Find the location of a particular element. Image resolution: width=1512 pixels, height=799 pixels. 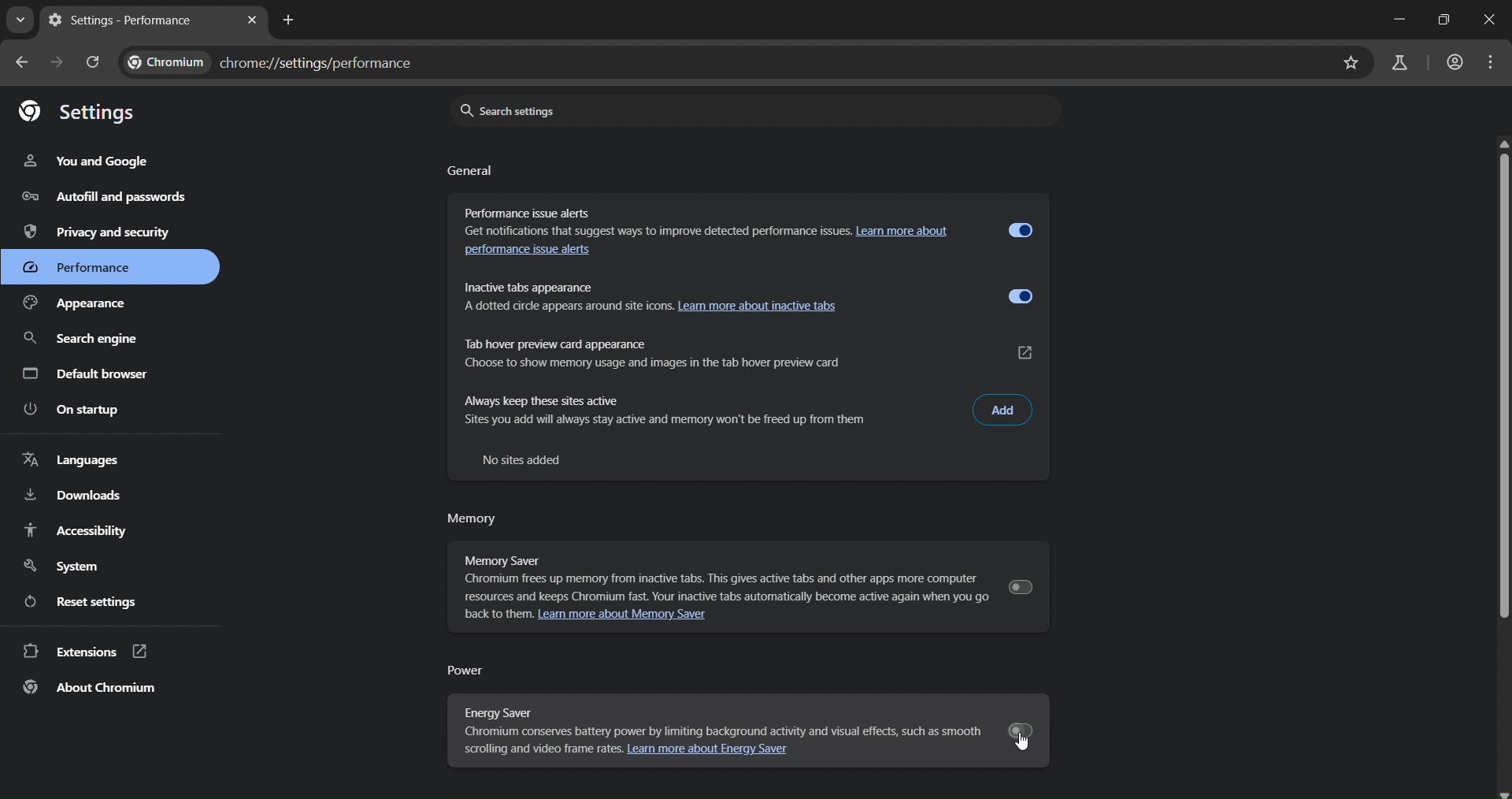

inactive tab appearance is located at coordinates (563, 295).